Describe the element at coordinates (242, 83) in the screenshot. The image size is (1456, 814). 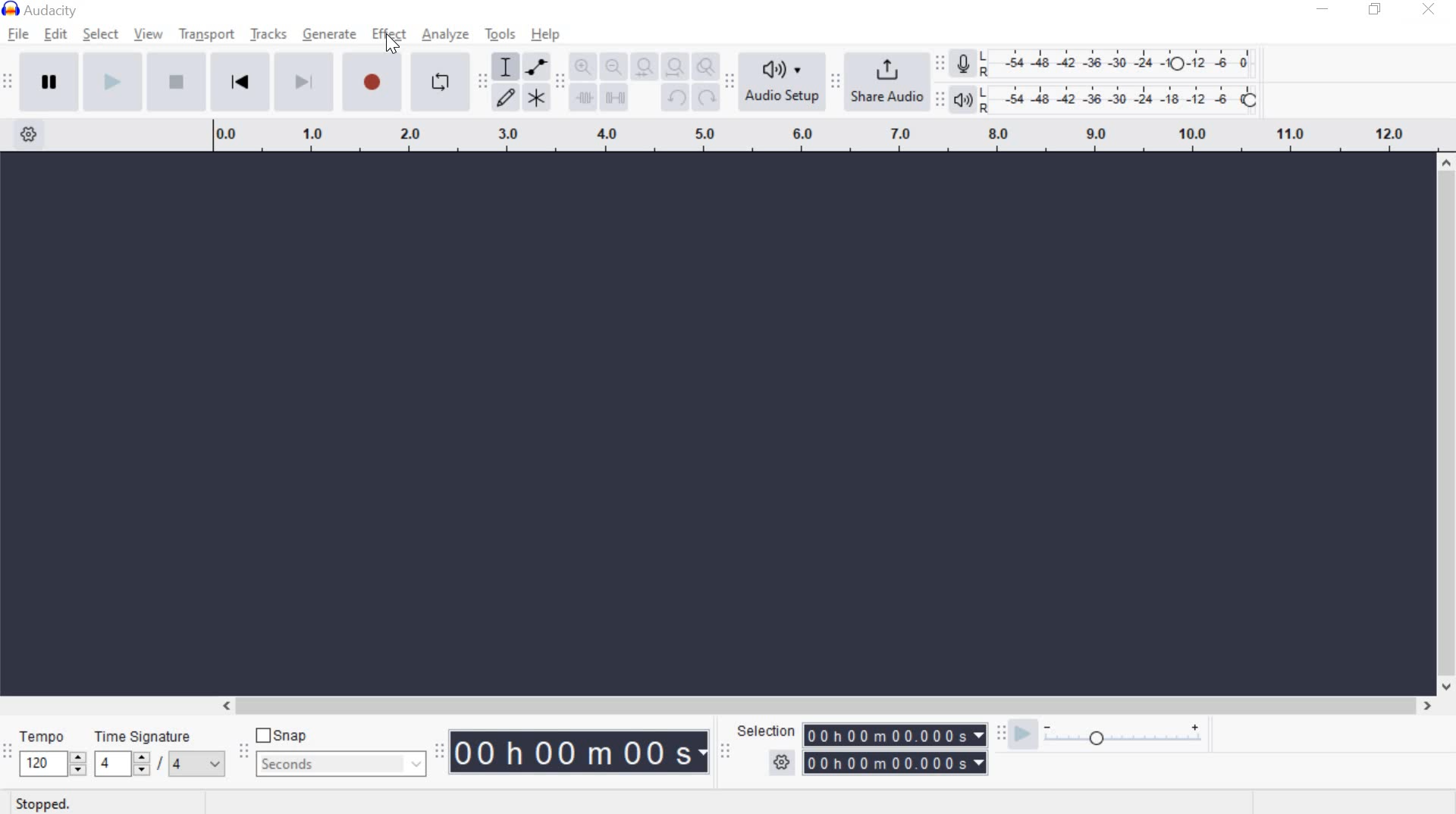
I see `Skip to Start` at that location.